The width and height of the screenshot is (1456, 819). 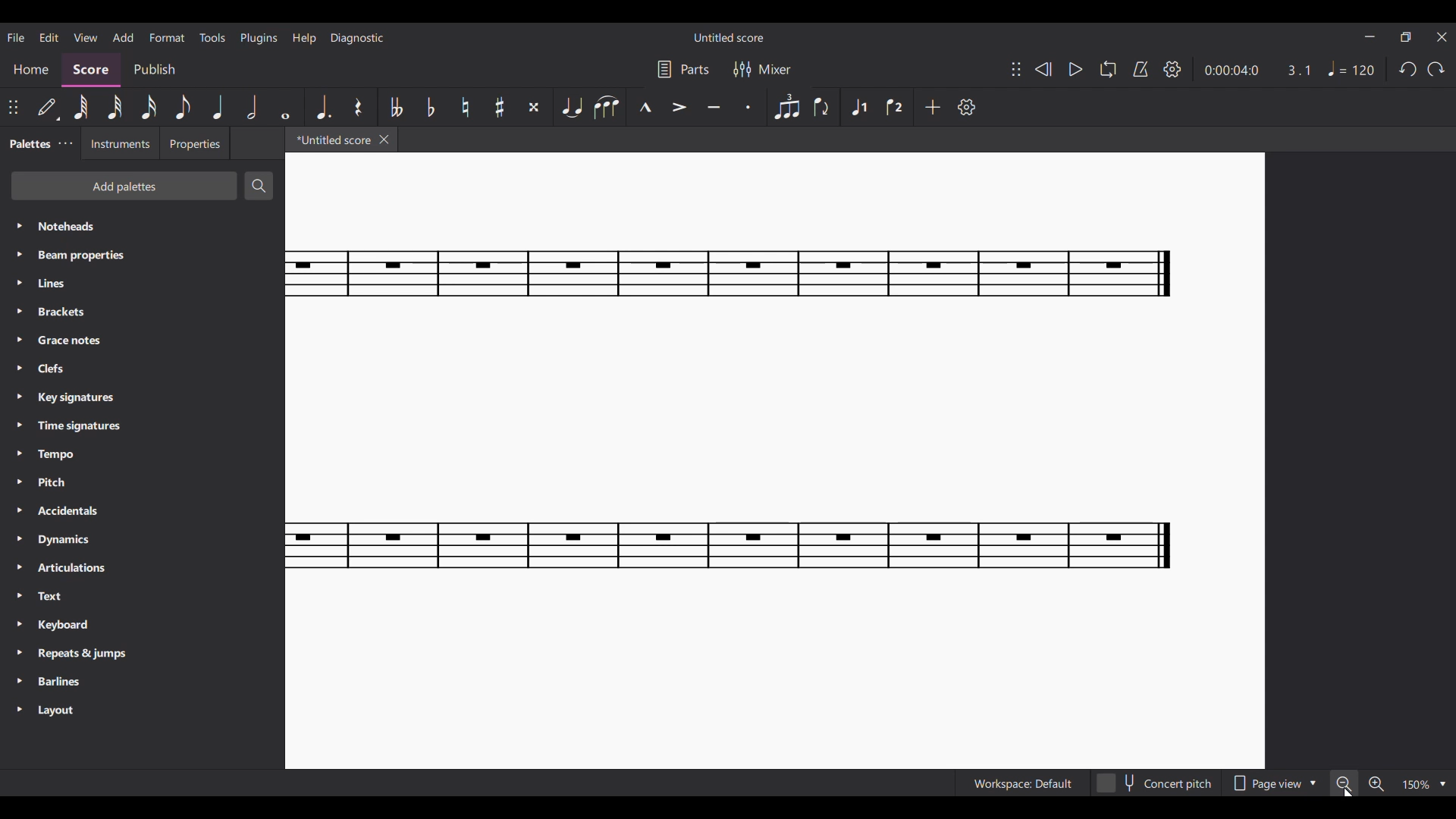 I want to click on Tie, so click(x=571, y=107).